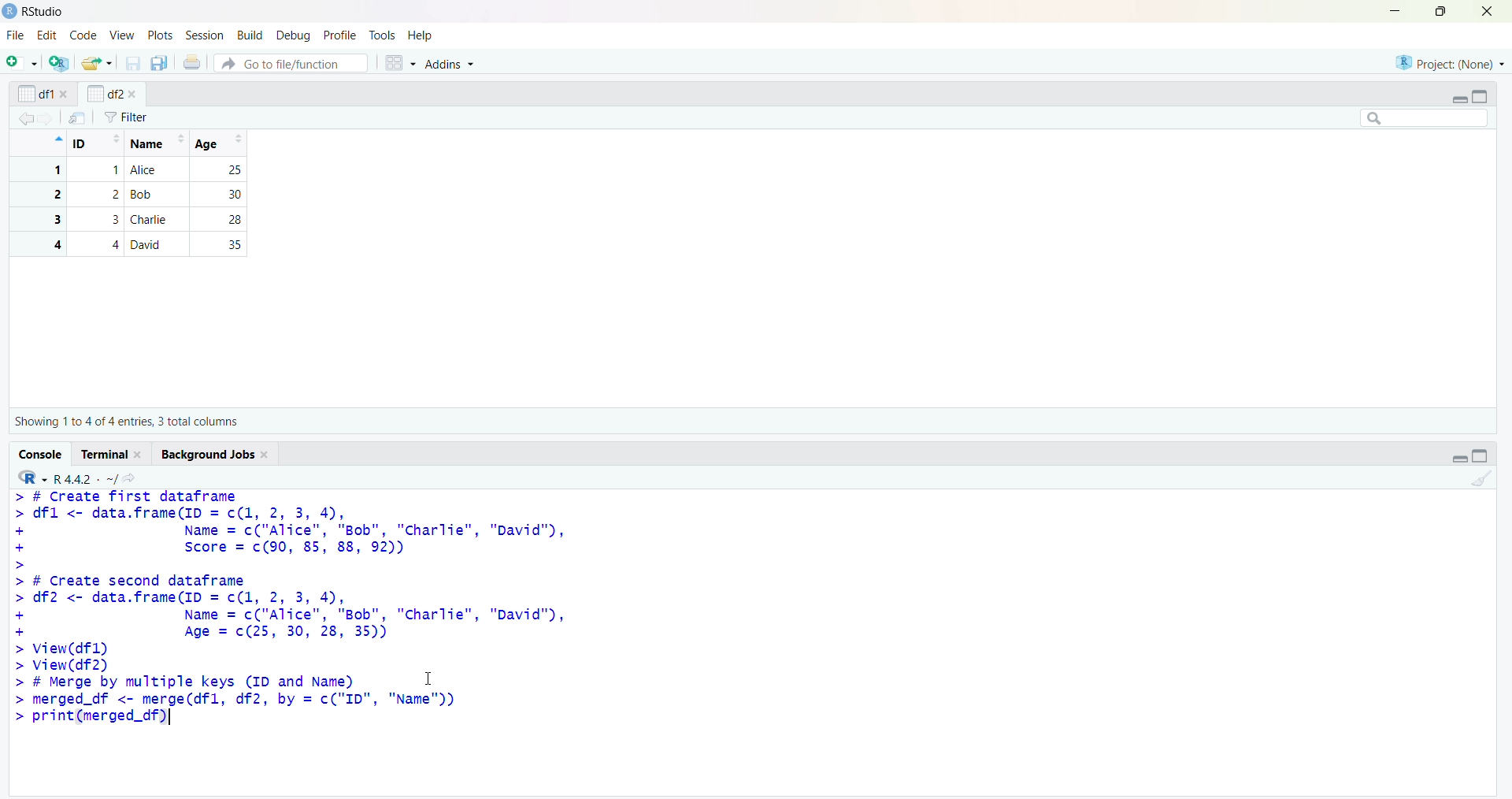  Describe the element at coordinates (140, 455) in the screenshot. I see `close` at that location.